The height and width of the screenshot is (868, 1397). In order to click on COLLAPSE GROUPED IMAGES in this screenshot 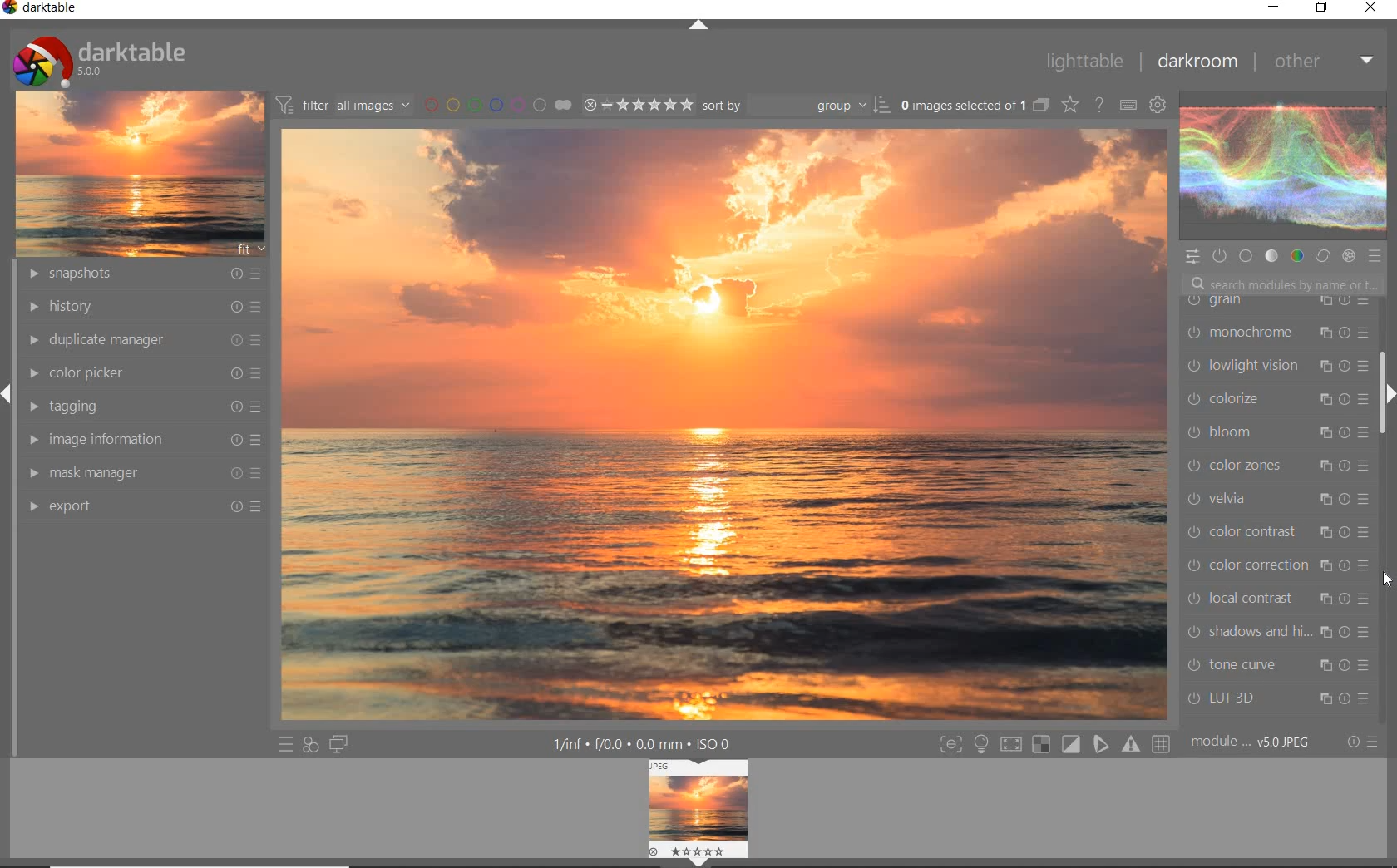, I will do `click(1040, 104)`.